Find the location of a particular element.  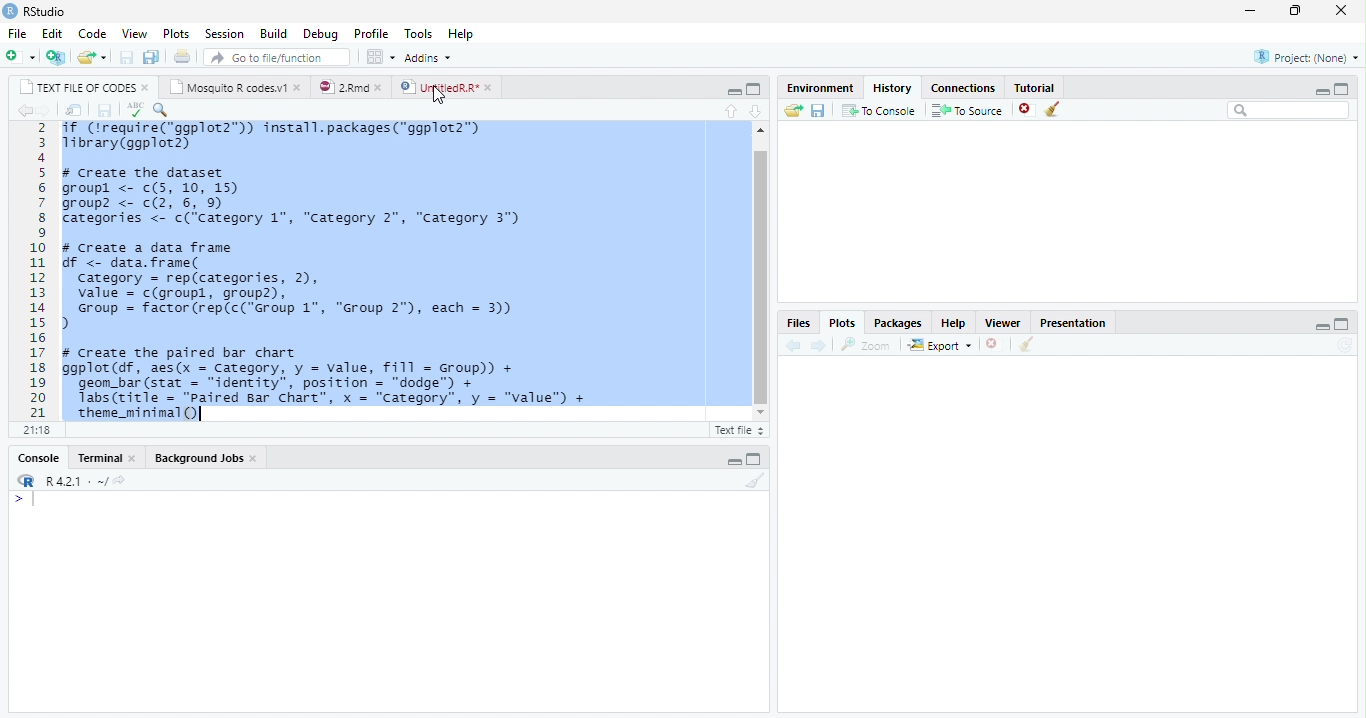

create a project is located at coordinates (54, 56).